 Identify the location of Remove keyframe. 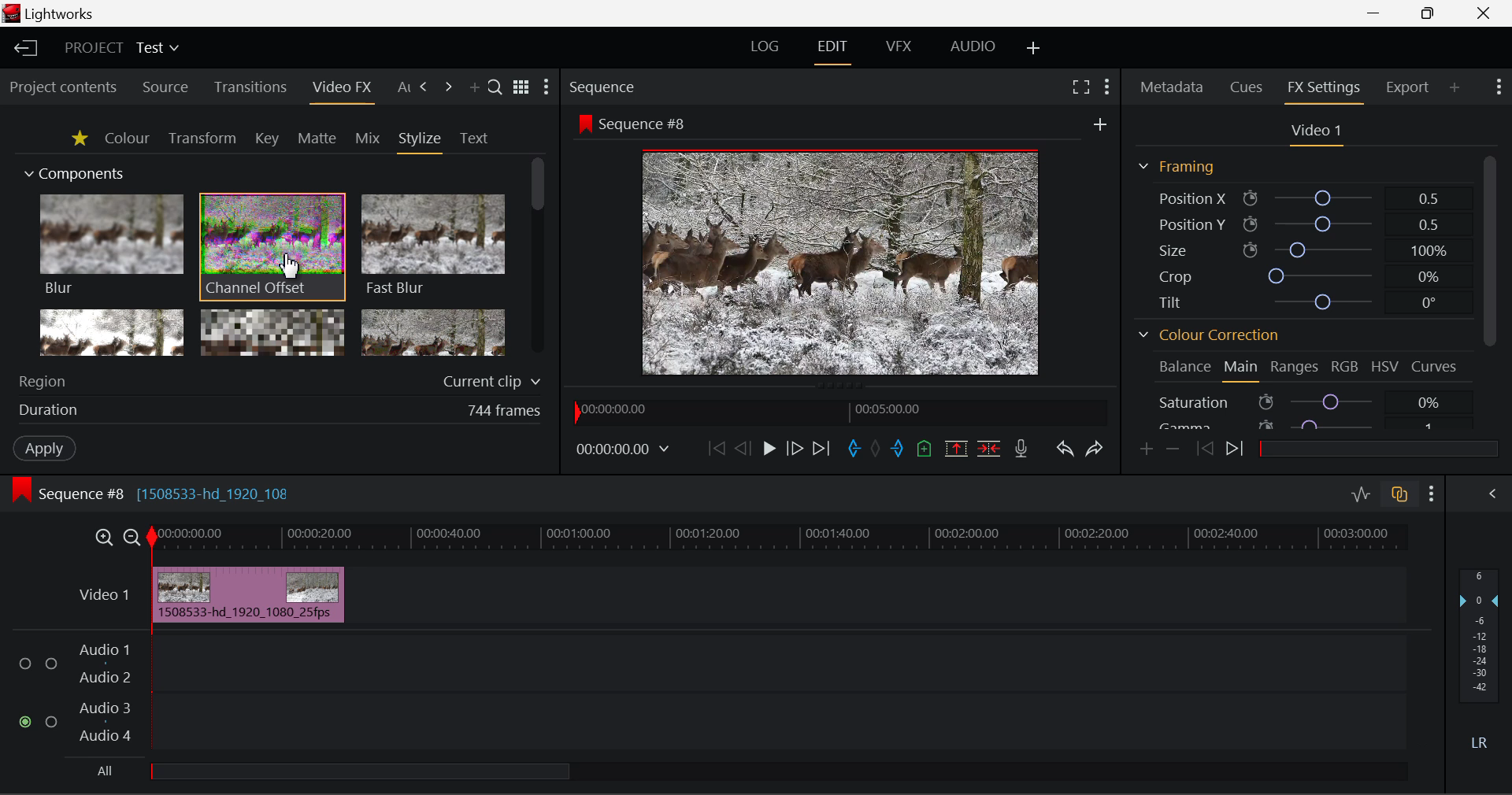
(1173, 453).